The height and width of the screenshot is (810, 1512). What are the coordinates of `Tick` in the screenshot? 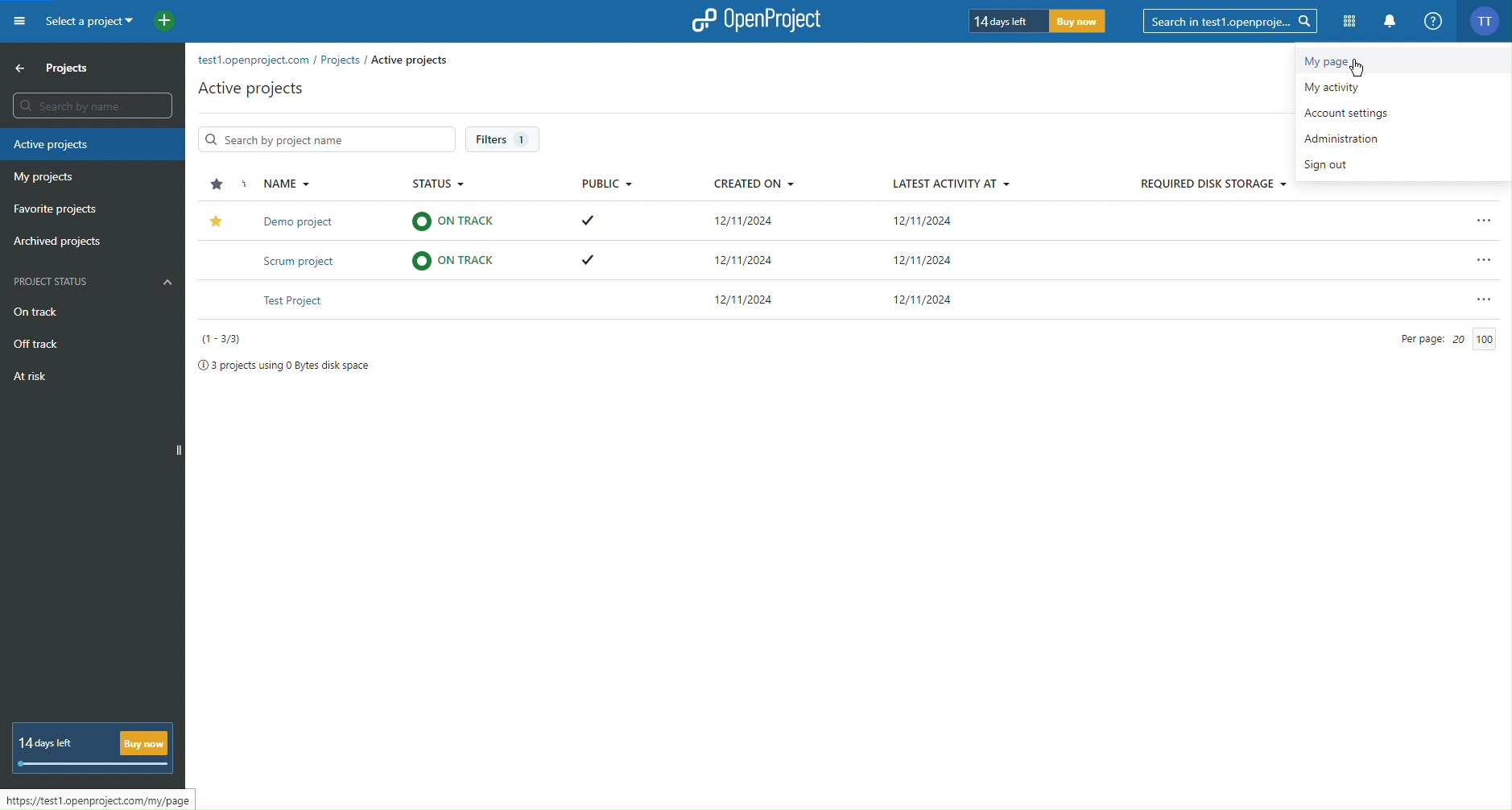 It's located at (591, 220).